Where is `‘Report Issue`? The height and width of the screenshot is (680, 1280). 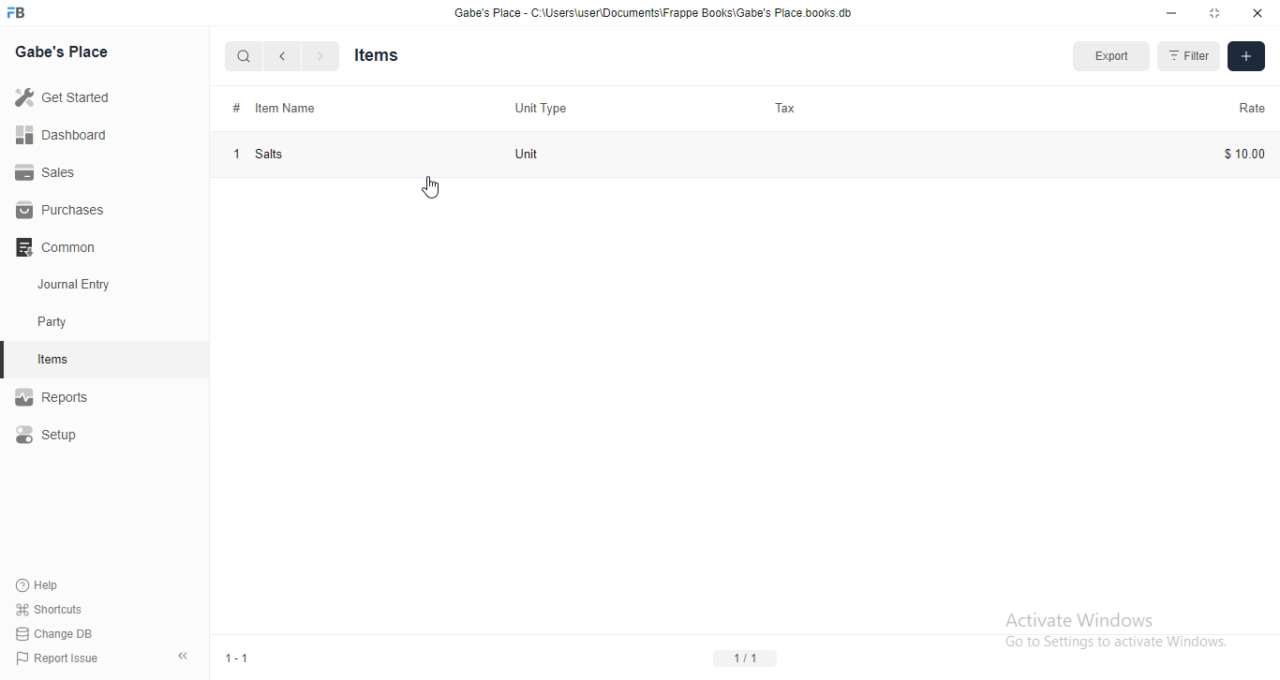
‘Report Issue is located at coordinates (61, 658).